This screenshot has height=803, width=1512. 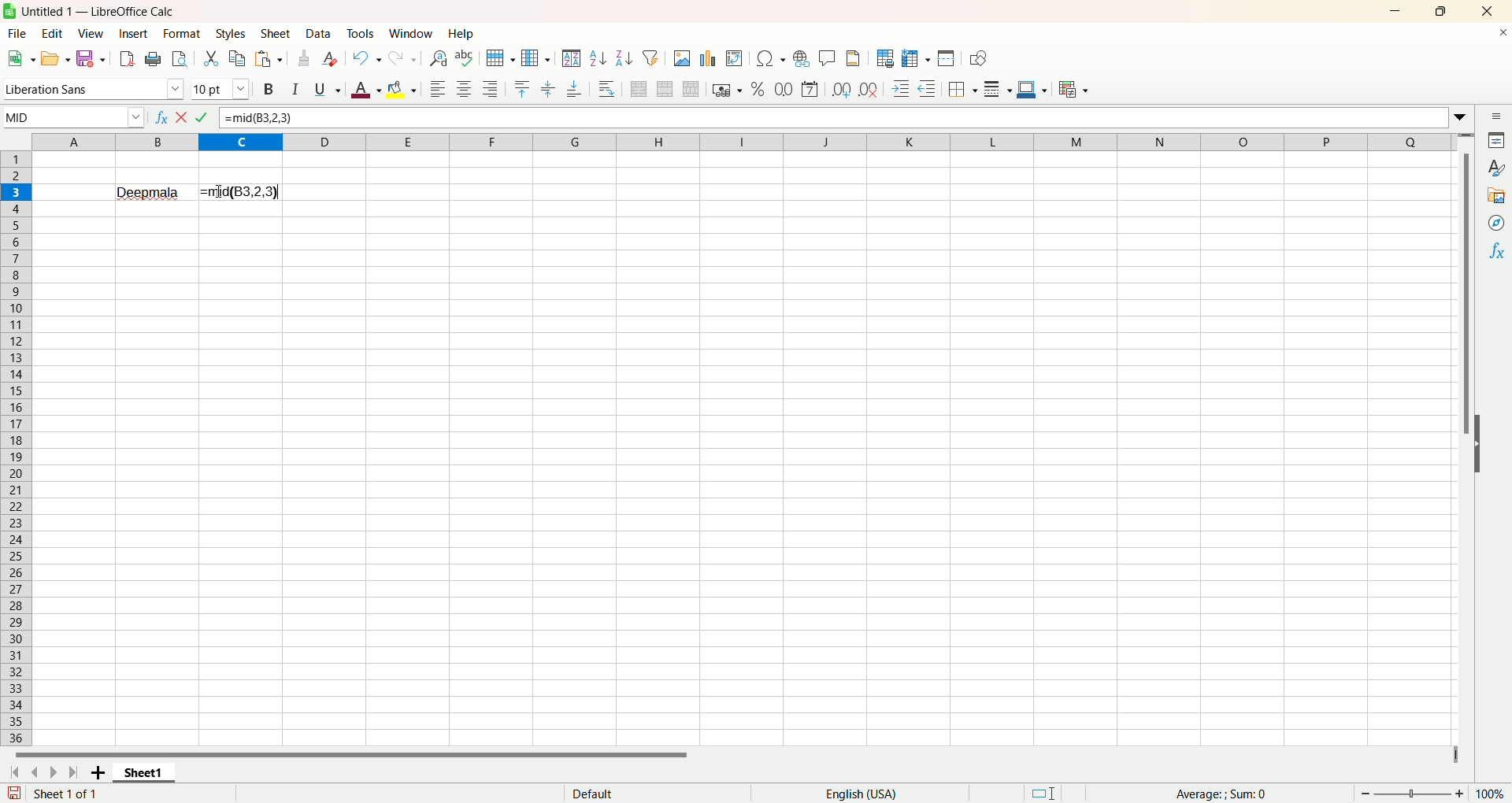 I want to click on Align bottom, so click(x=573, y=91).